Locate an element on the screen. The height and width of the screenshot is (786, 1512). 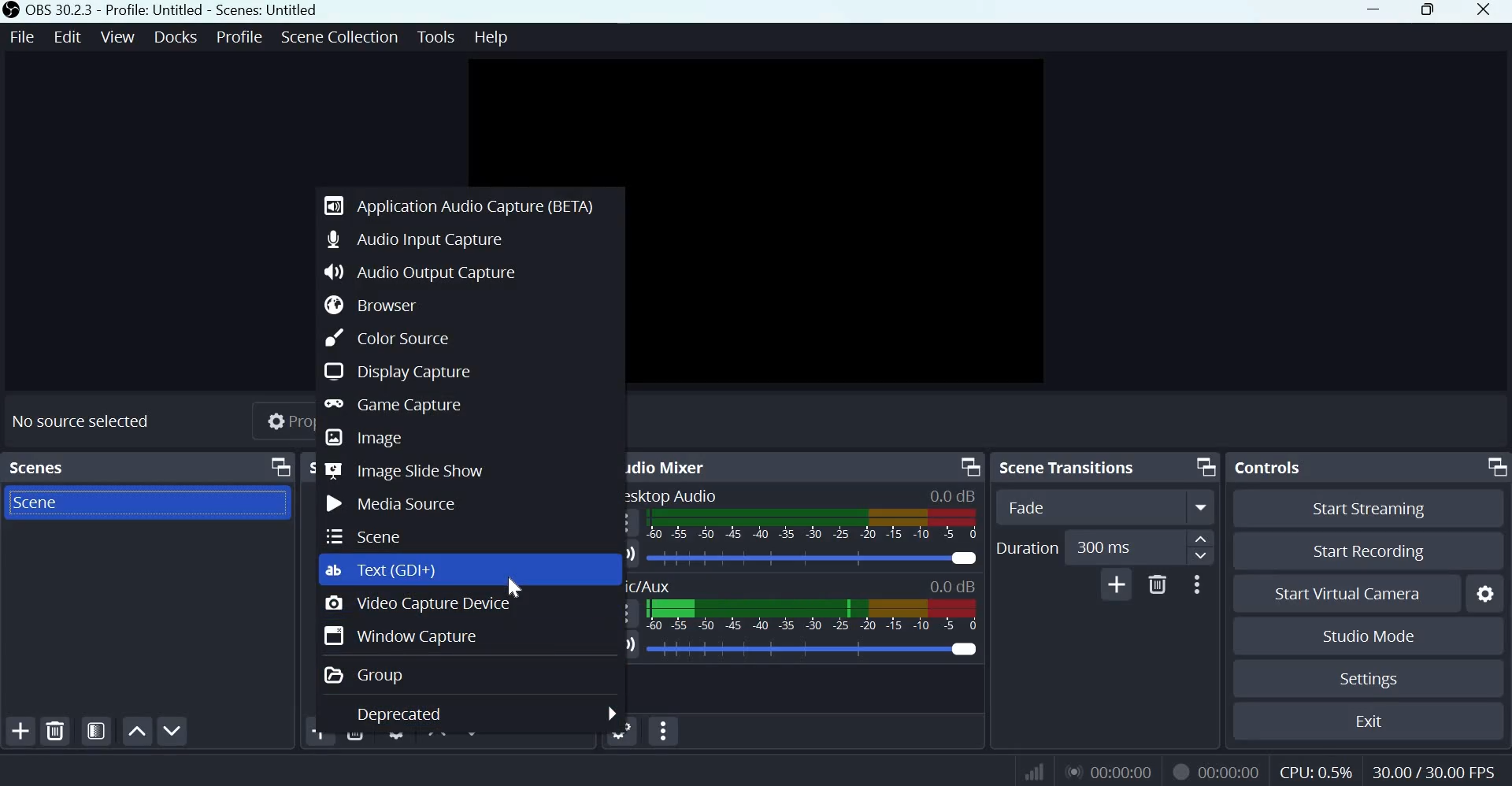
Profile is located at coordinates (239, 37).